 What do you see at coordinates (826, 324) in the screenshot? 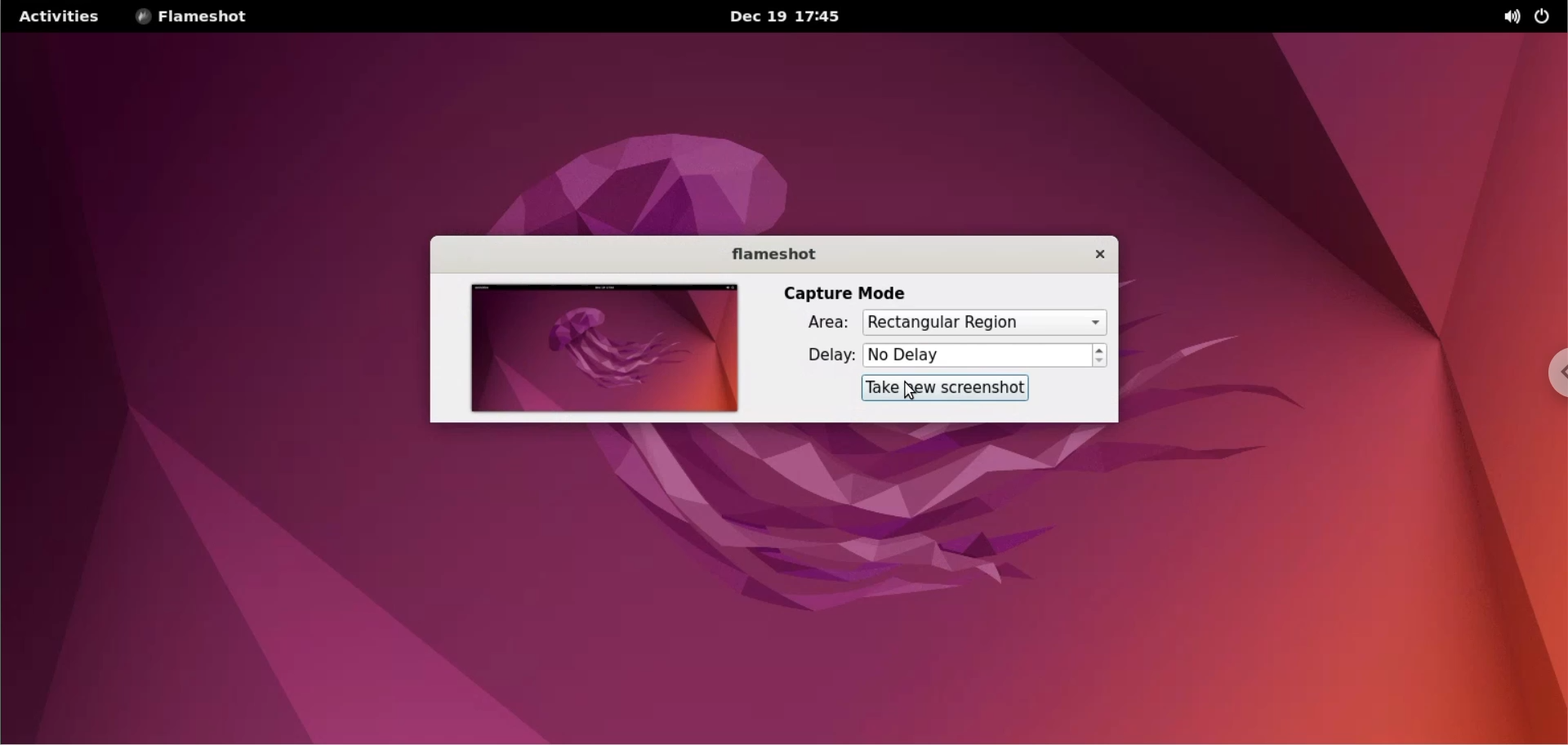
I see `area label` at bounding box center [826, 324].